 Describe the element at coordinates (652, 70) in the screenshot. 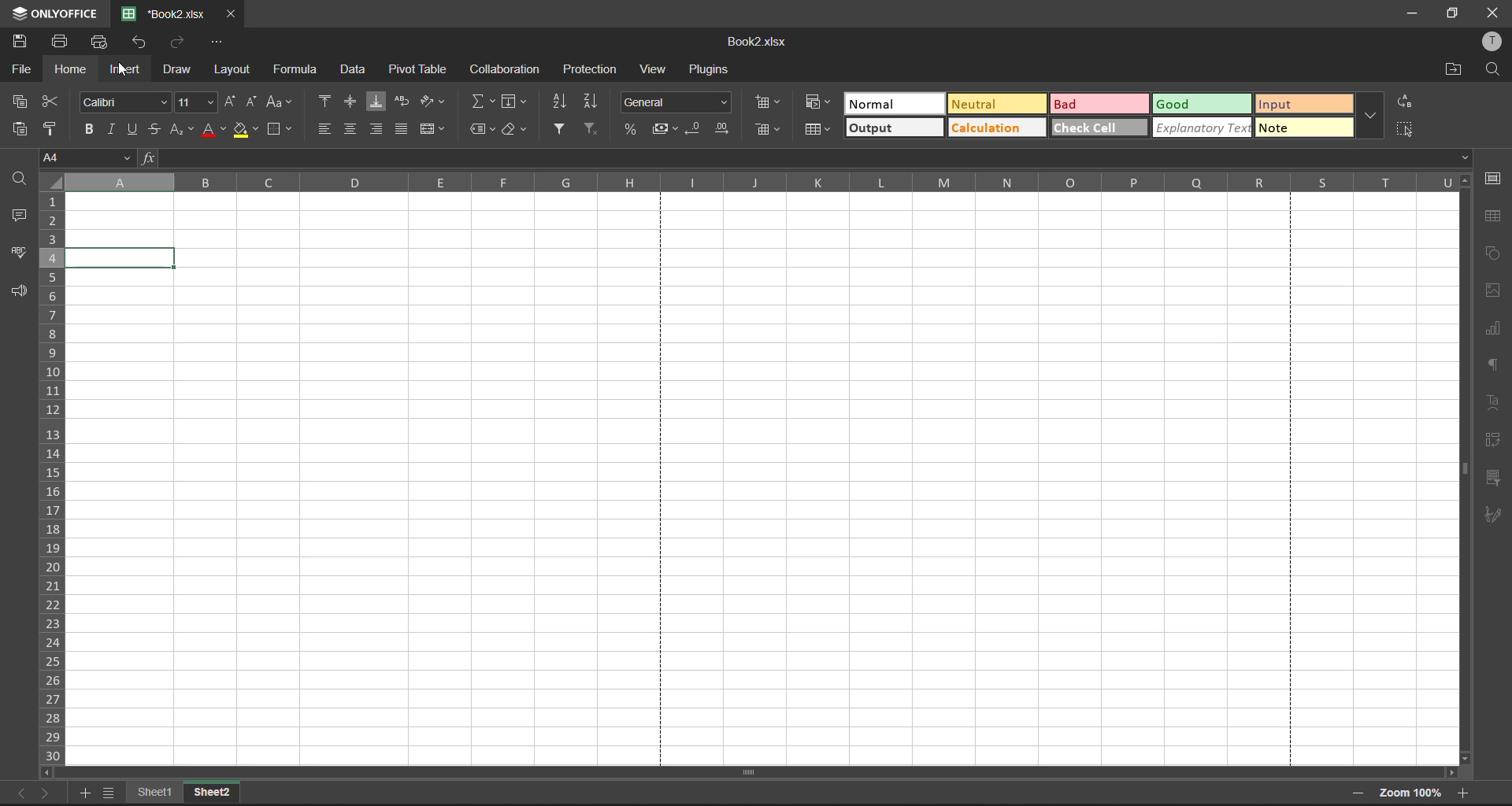

I see `view` at that location.